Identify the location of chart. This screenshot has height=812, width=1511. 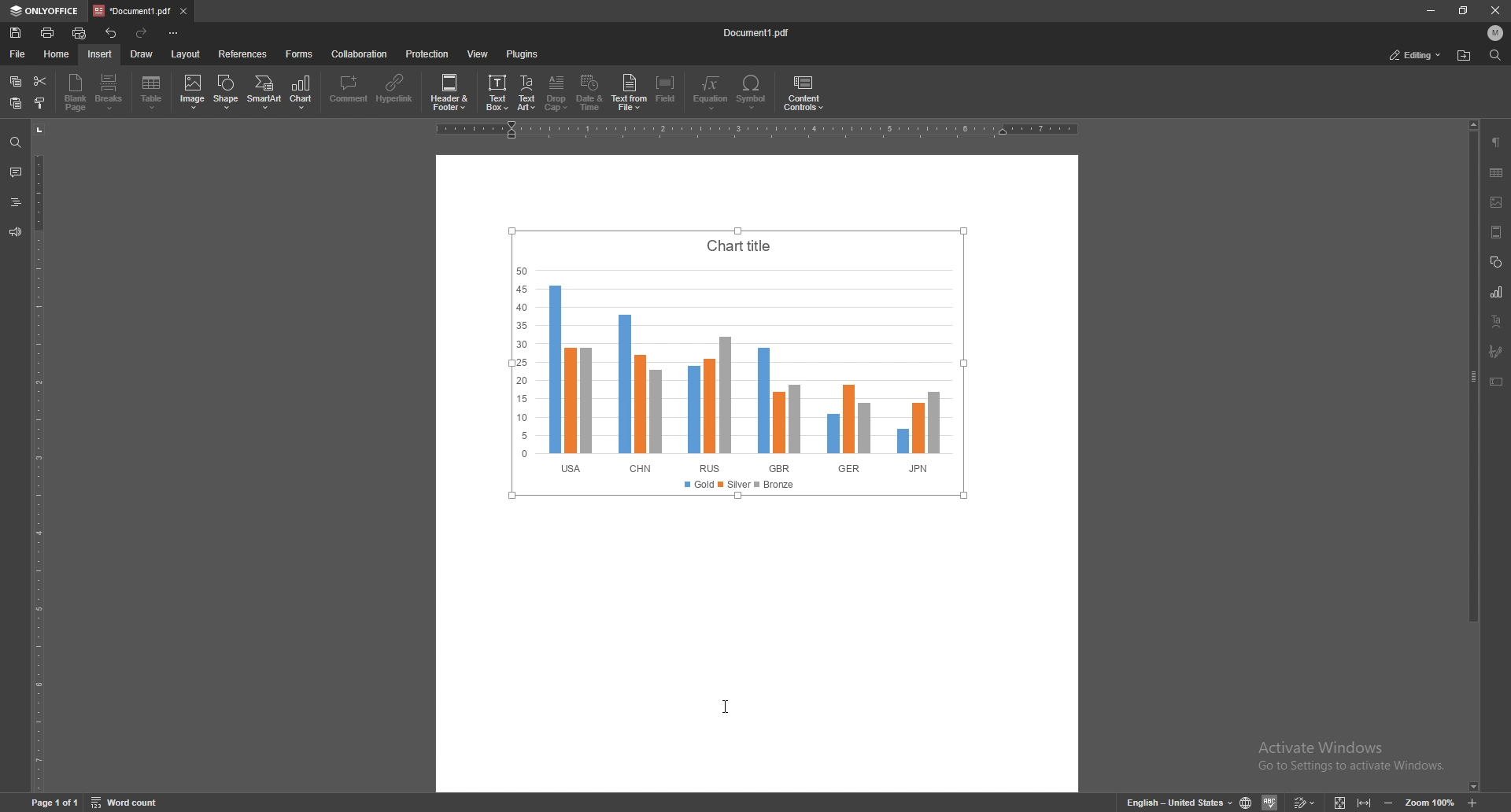
(1498, 292).